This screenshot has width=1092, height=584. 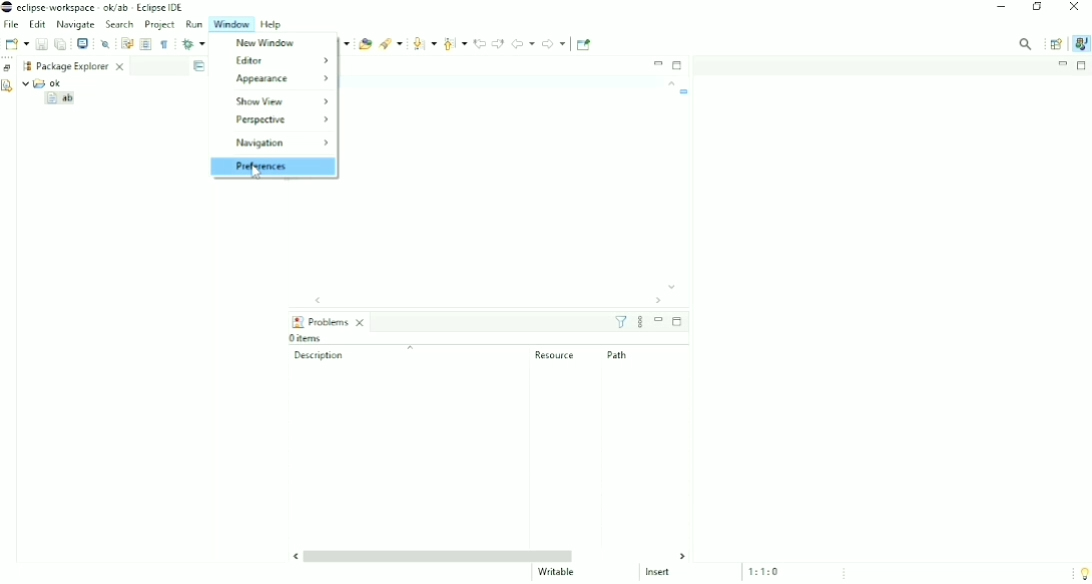 I want to click on Declaration, so click(x=8, y=88).